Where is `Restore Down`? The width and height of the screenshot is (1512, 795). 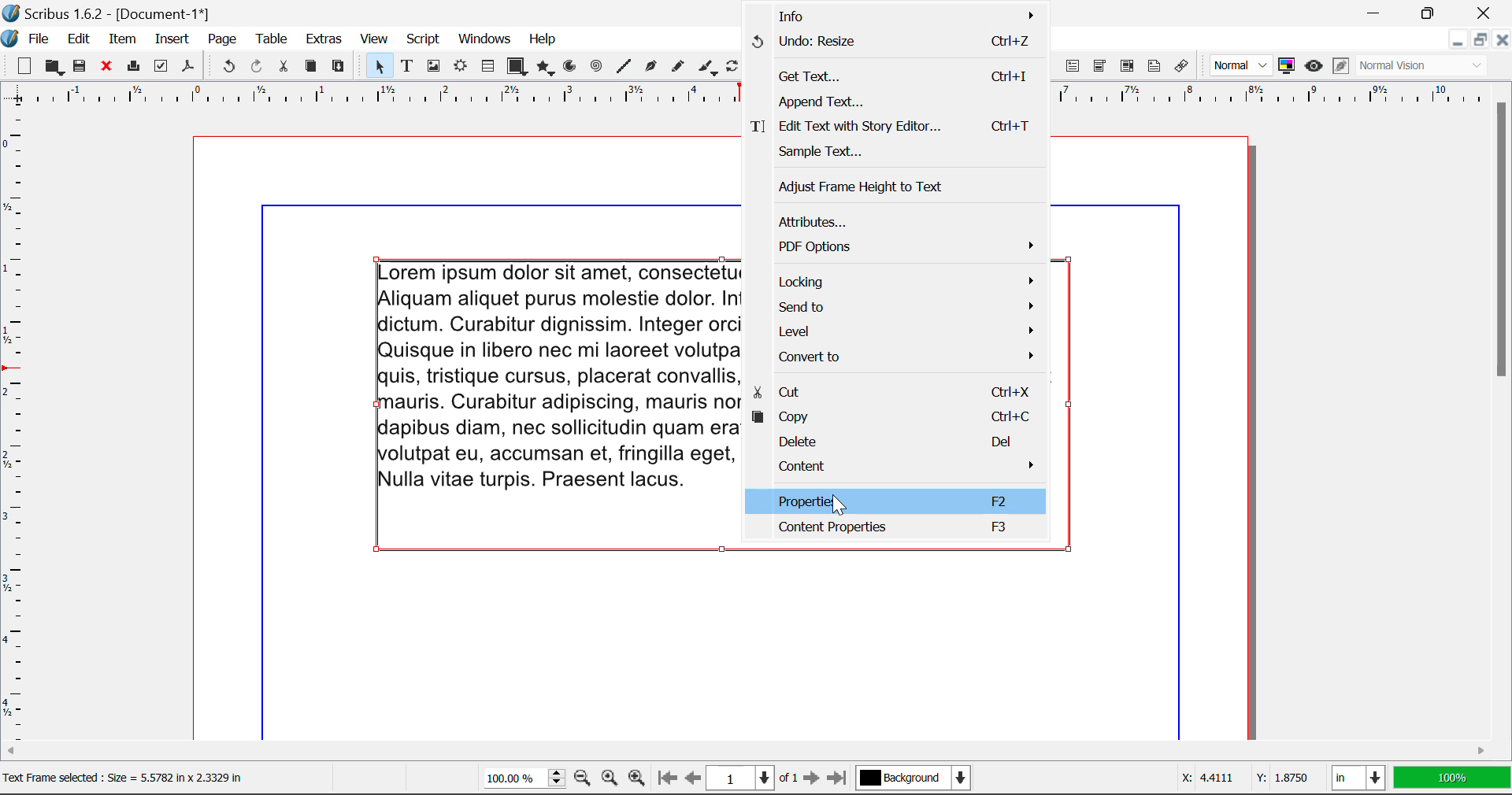
Restore Down is located at coordinates (1456, 40).